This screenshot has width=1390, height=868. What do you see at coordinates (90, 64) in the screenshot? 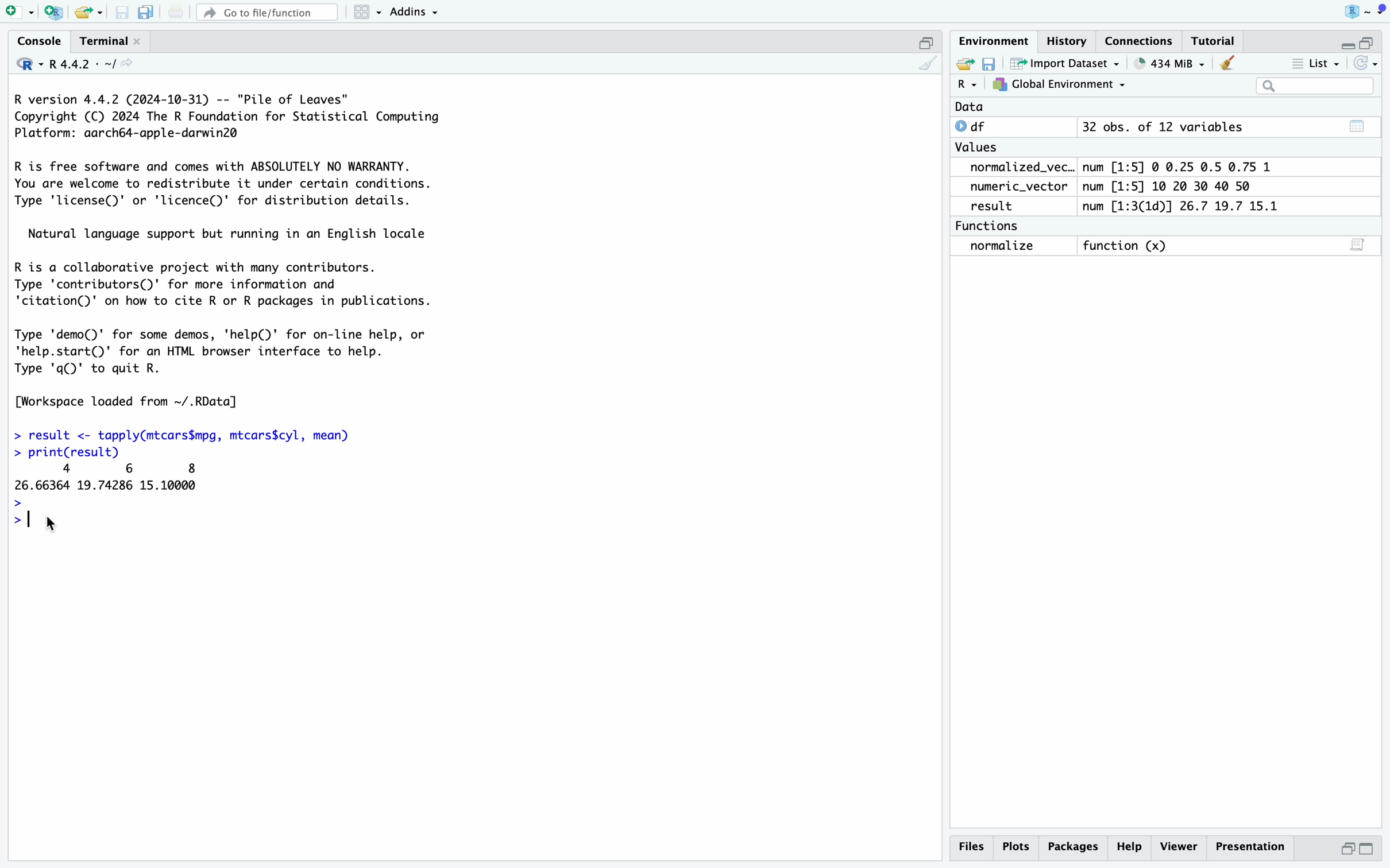
I see `R4.4.2 - ~/` at bounding box center [90, 64].